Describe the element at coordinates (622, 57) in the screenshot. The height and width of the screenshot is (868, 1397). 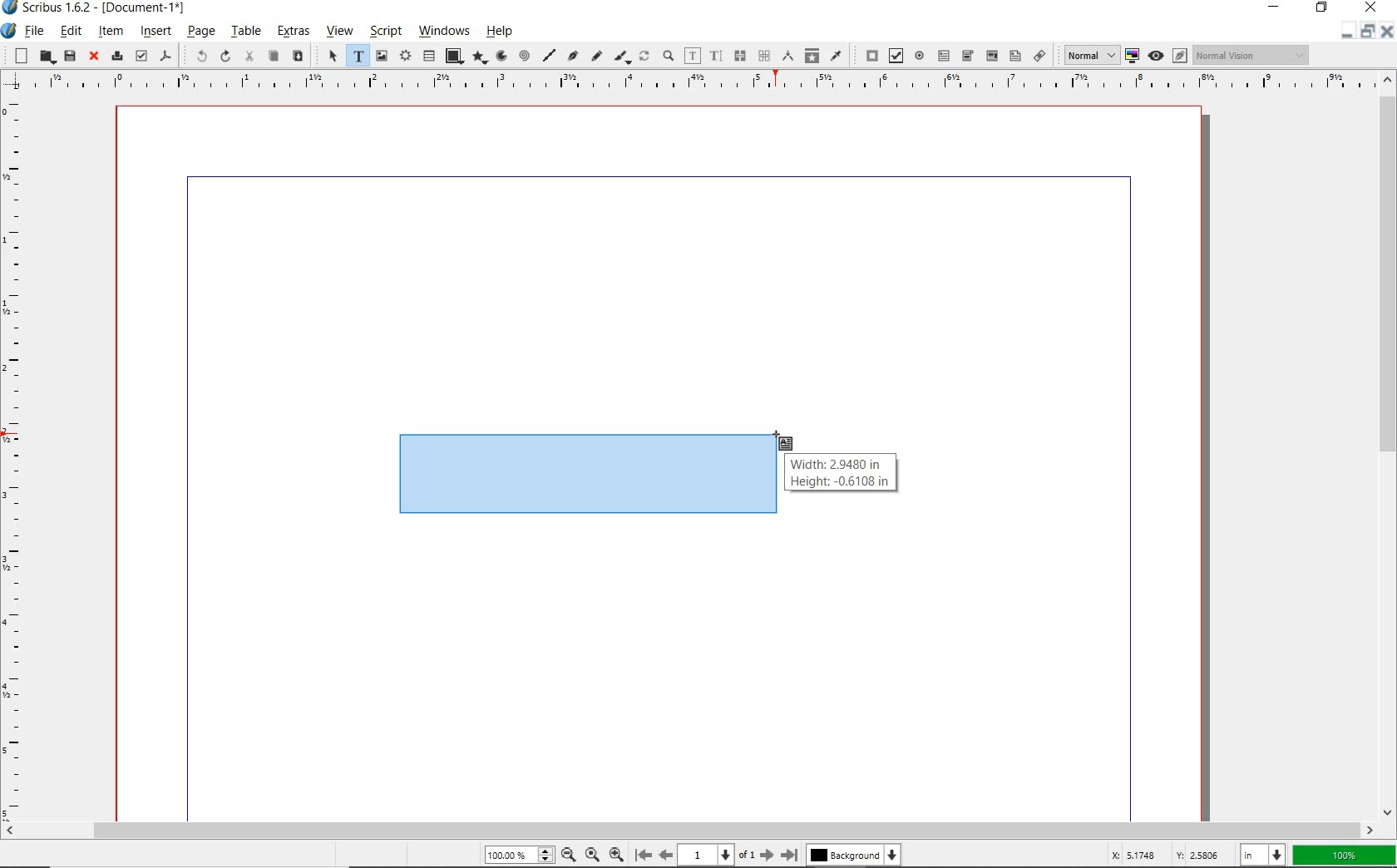
I see `calligraphic line` at that location.